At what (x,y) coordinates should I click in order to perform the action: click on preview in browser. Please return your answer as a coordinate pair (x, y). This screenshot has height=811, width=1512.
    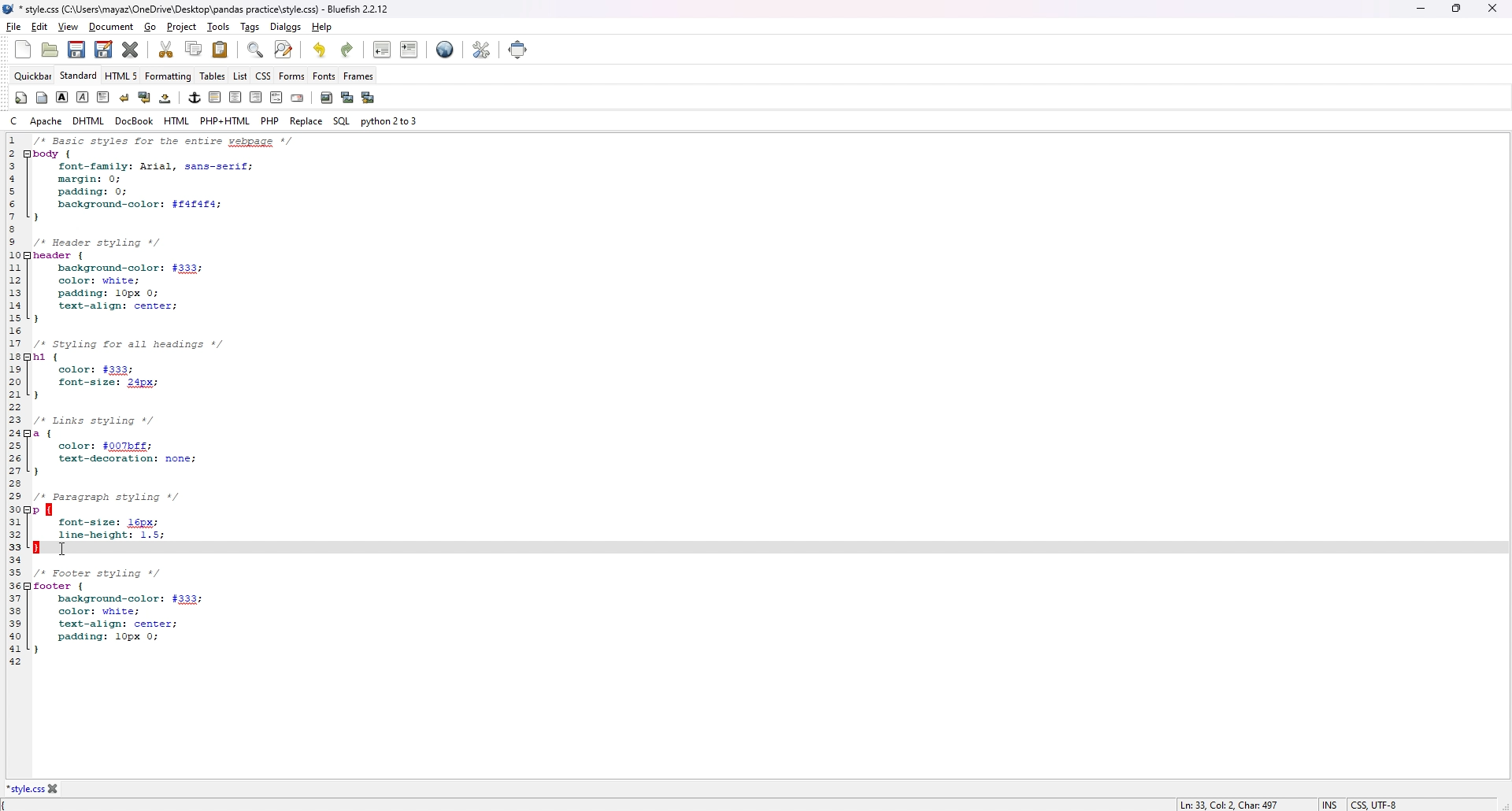
    Looking at the image, I should click on (444, 50).